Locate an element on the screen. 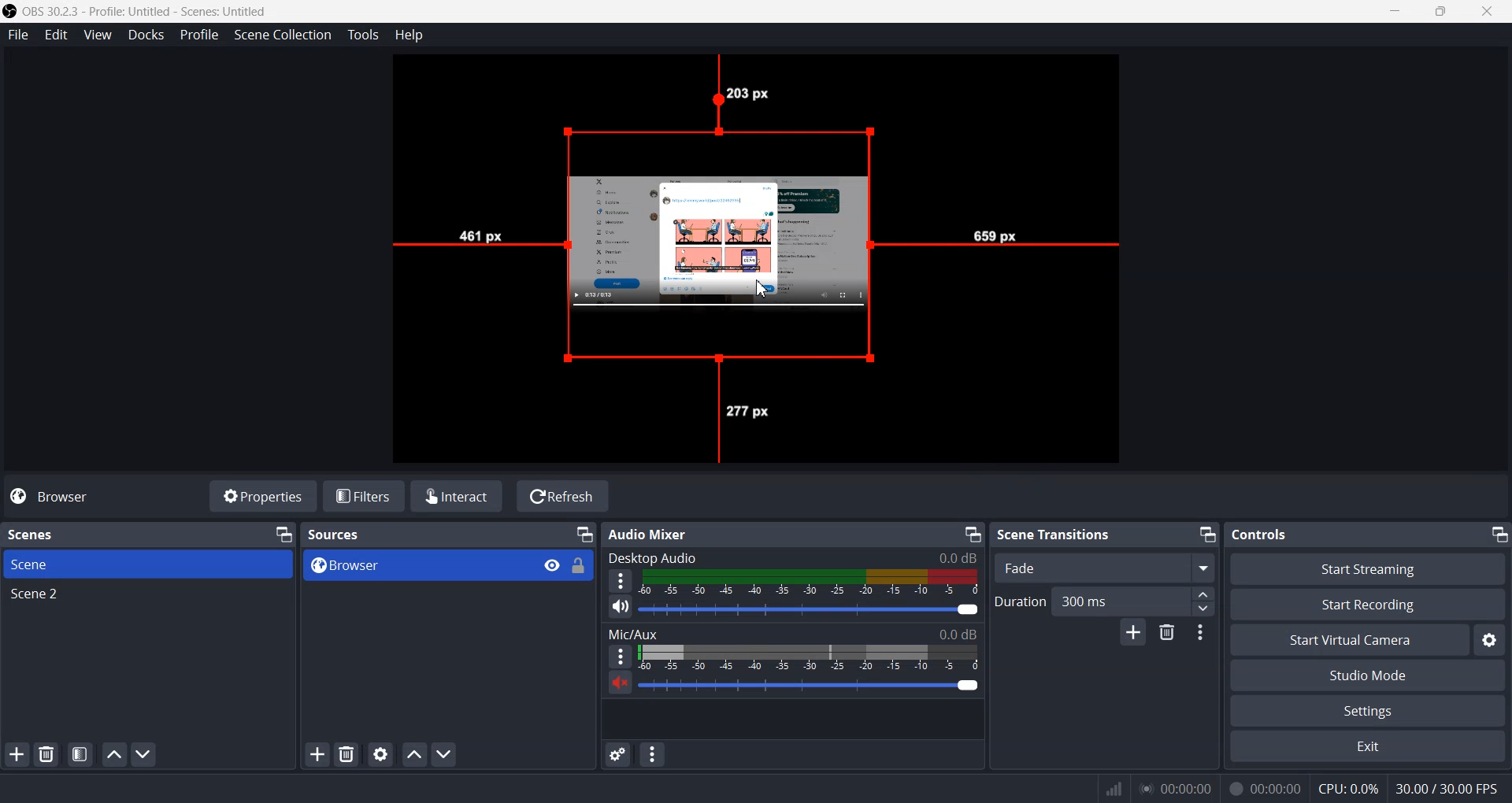  Remove selected scene is located at coordinates (47, 756).